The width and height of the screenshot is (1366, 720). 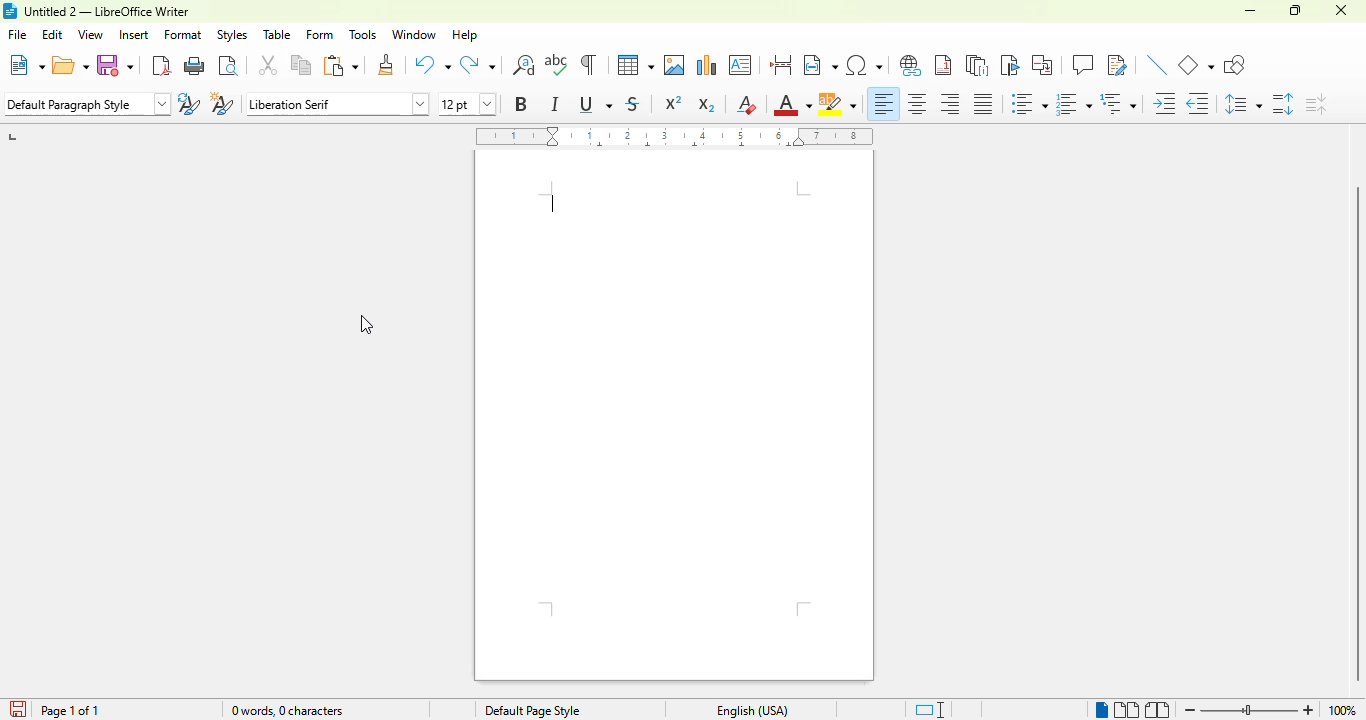 What do you see at coordinates (184, 34) in the screenshot?
I see `format` at bounding box center [184, 34].